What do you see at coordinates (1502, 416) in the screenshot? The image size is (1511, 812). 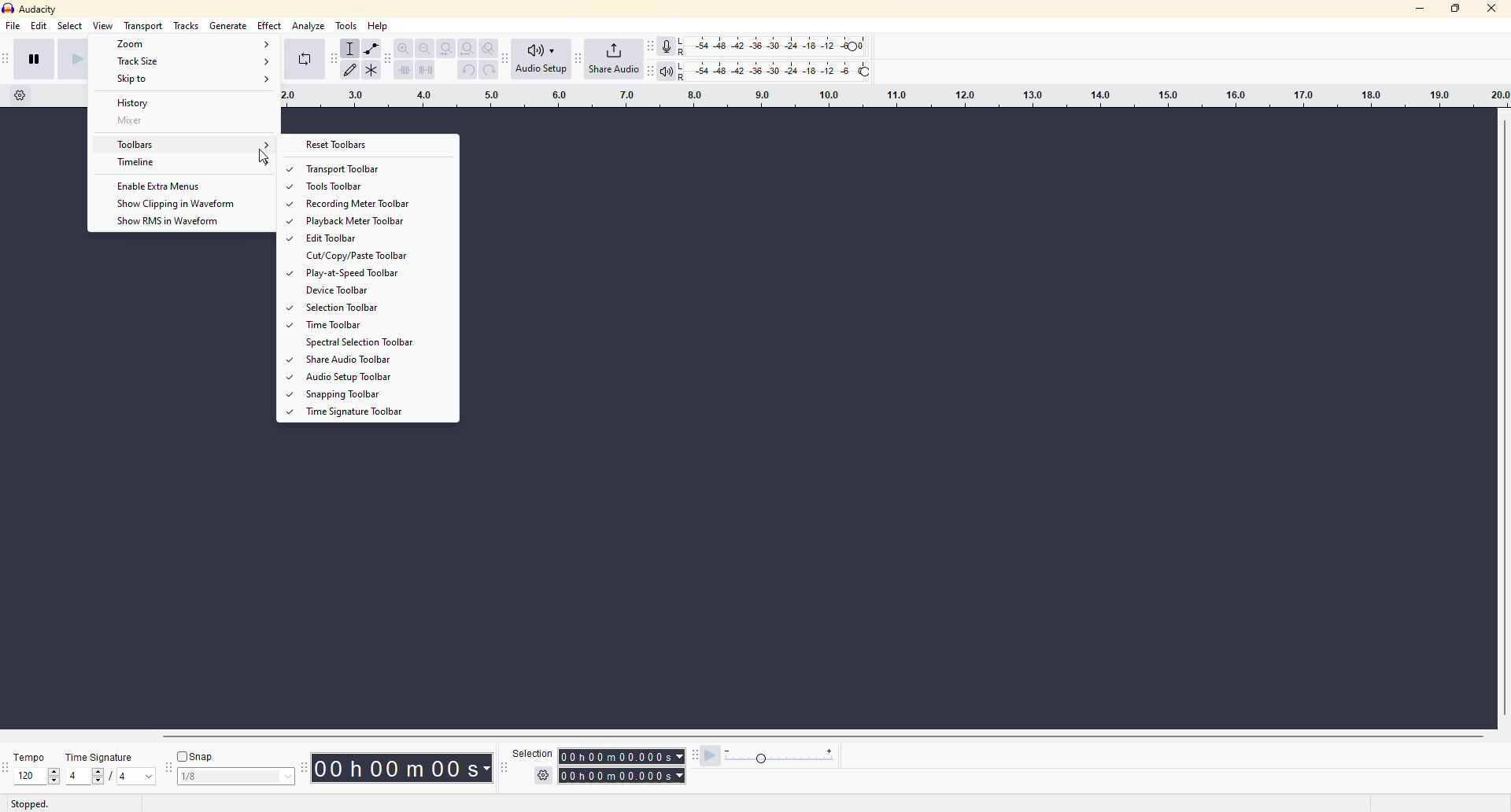 I see `Vertical Scrollbar` at bounding box center [1502, 416].